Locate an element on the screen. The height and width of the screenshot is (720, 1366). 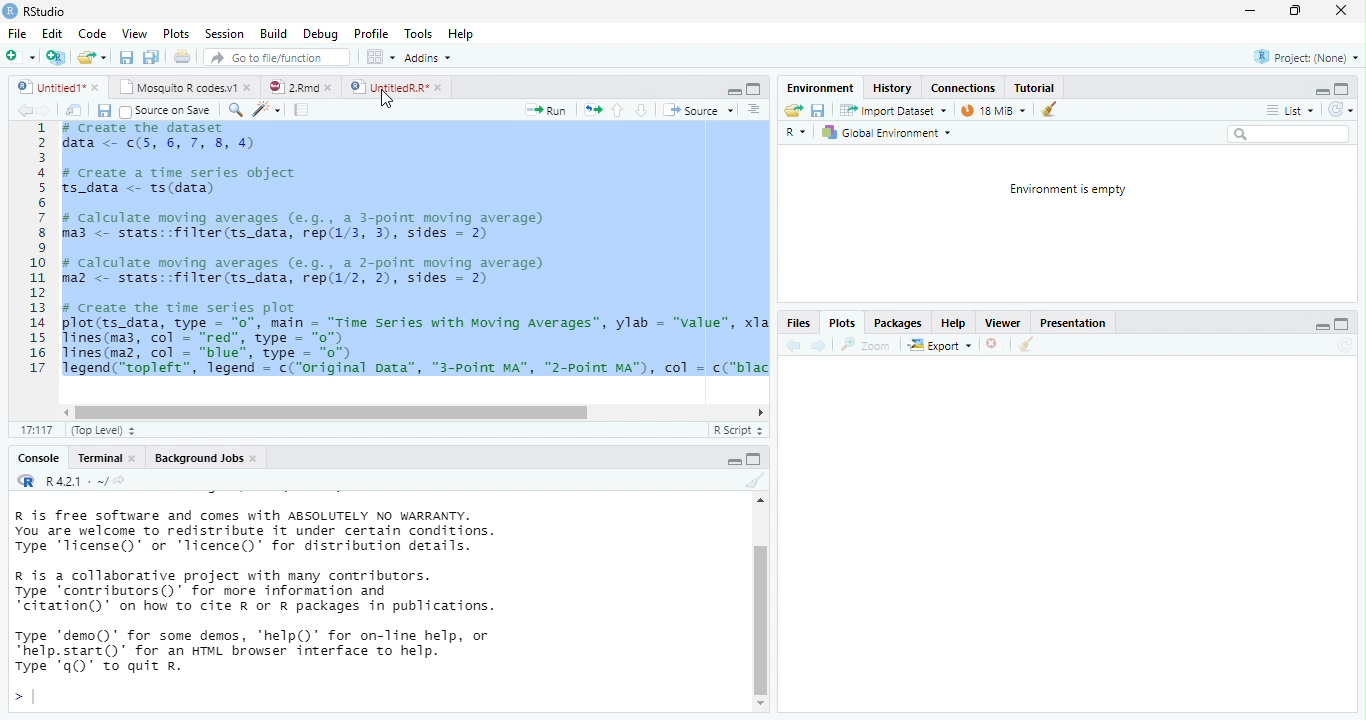
show in window is located at coordinates (75, 110).